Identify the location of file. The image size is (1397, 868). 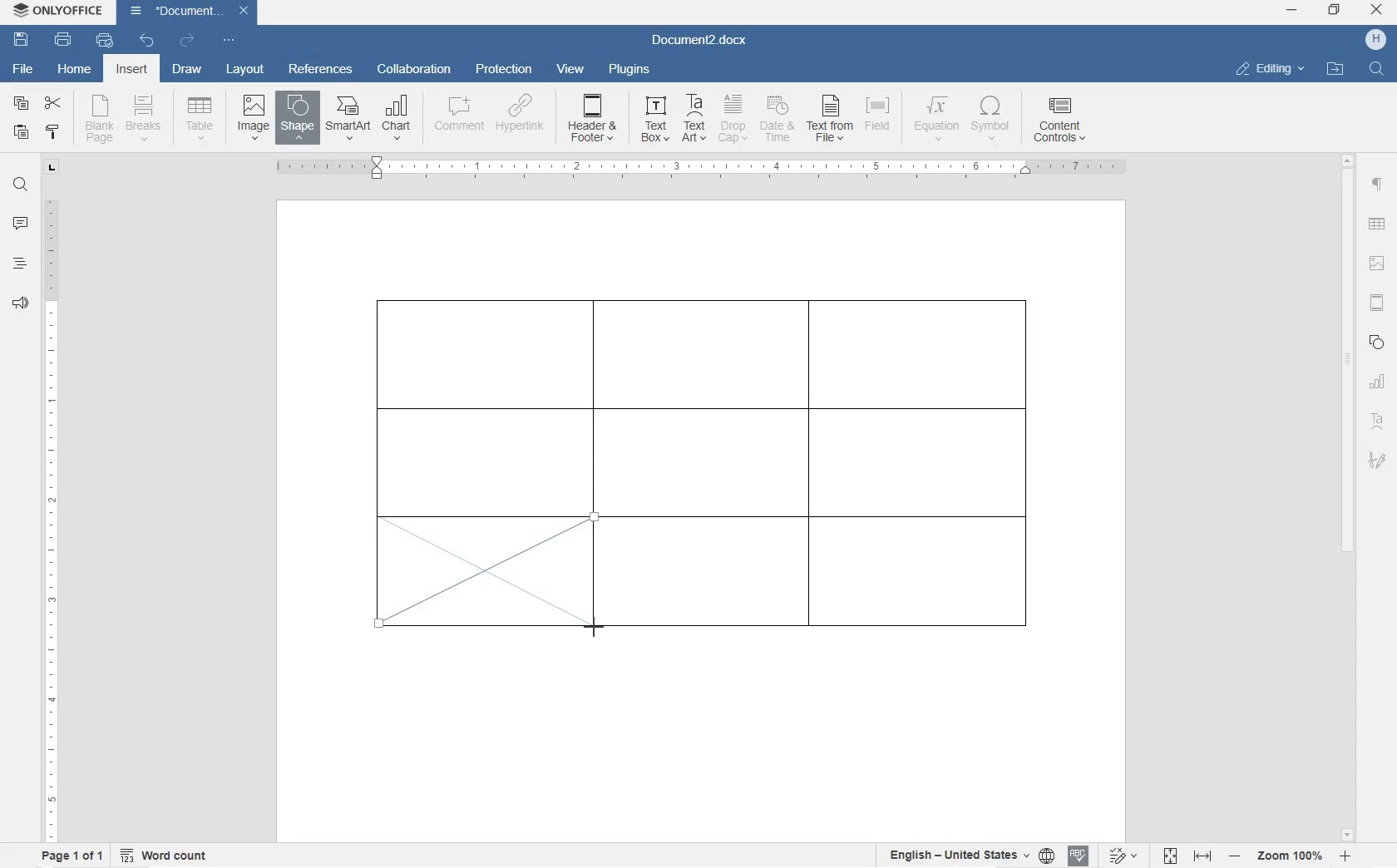
(26, 71).